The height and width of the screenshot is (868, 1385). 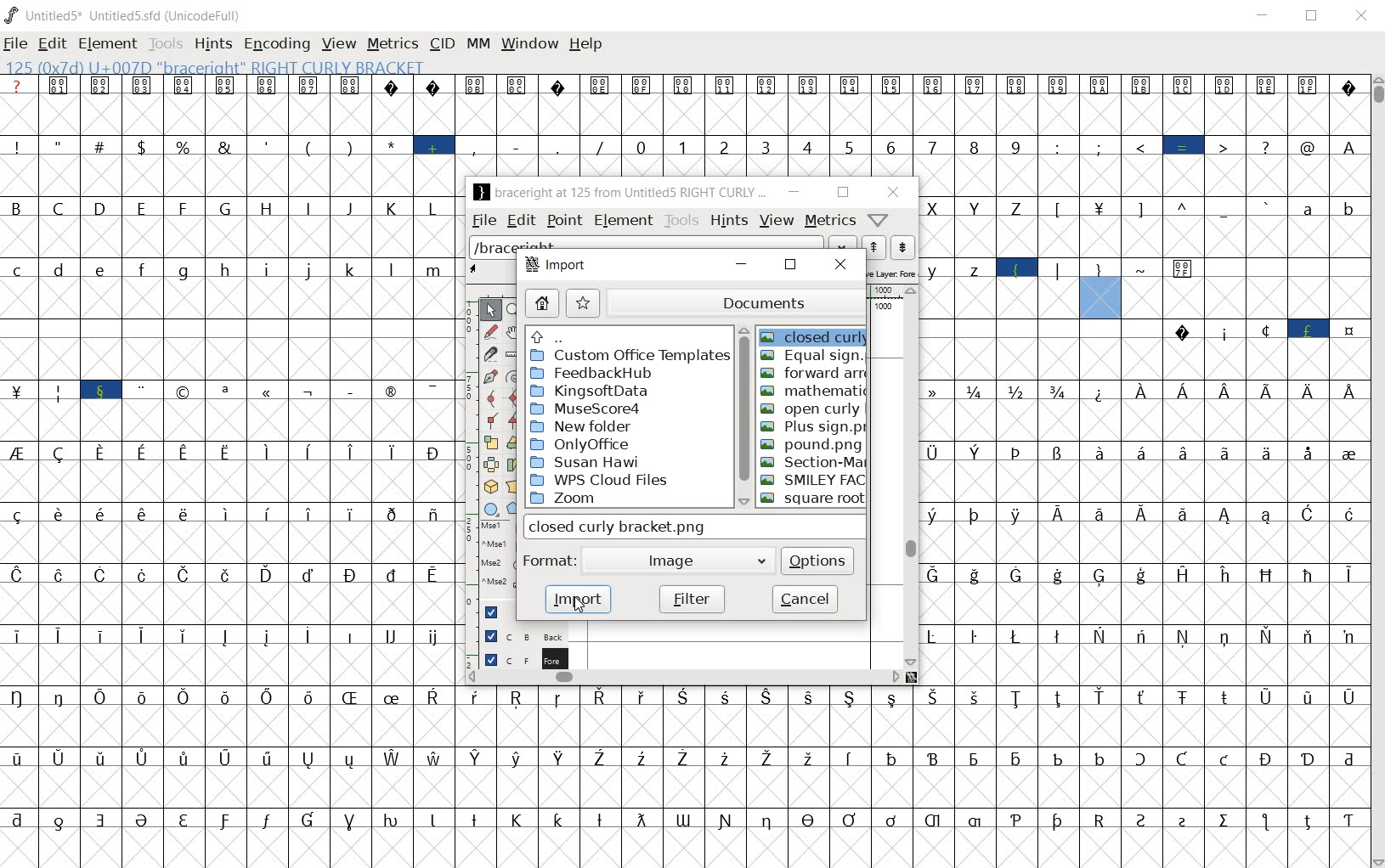 What do you see at coordinates (693, 598) in the screenshot?
I see `filter` at bounding box center [693, 598].